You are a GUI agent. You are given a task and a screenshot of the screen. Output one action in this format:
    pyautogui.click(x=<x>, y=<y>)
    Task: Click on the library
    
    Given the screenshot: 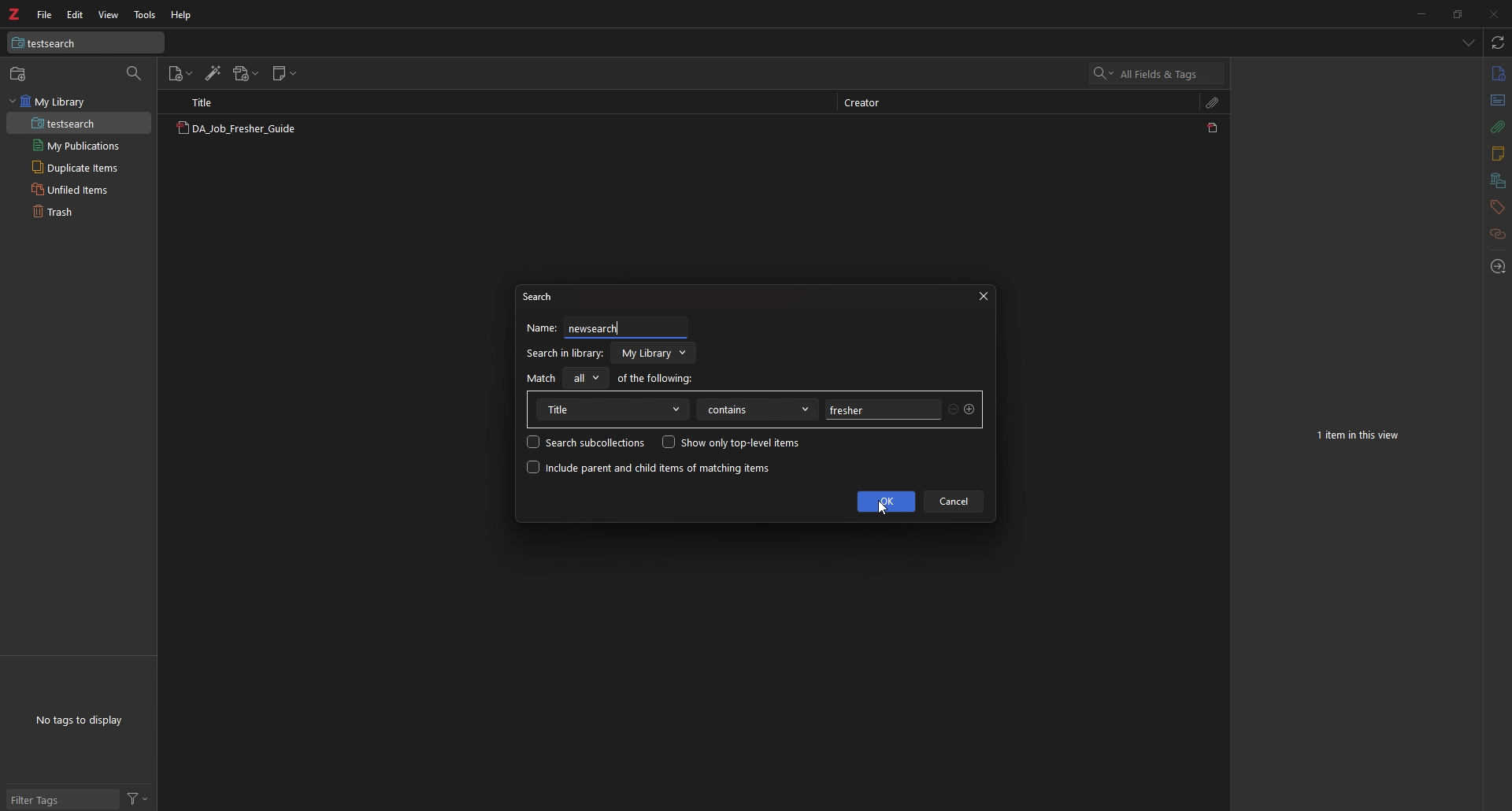 What is the action you would take?
    pyautogui.click(x=655, y=353)
    